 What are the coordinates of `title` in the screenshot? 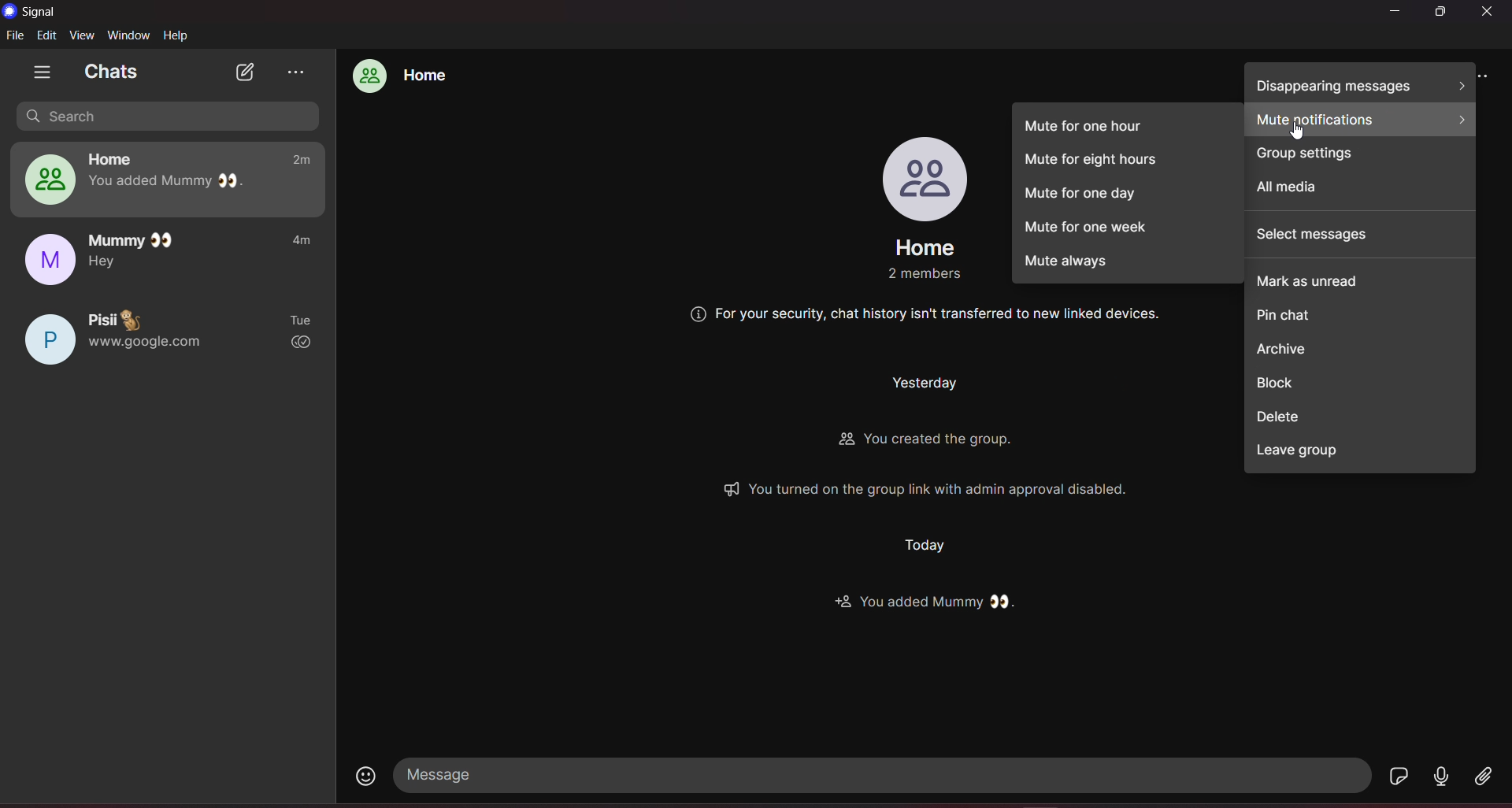 It's located at (43, 11).